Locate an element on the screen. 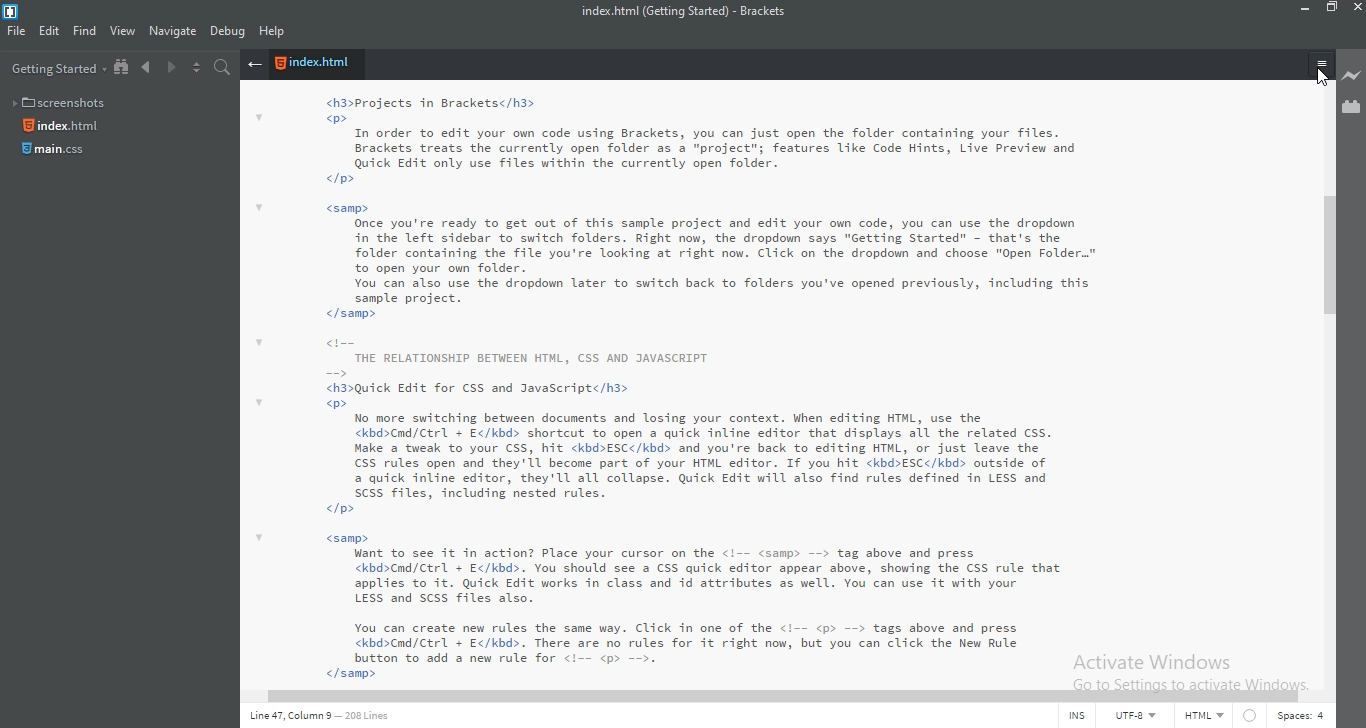 This screenshot has height=728, width=1366. extension manager is located at coordinates (1350, 108).